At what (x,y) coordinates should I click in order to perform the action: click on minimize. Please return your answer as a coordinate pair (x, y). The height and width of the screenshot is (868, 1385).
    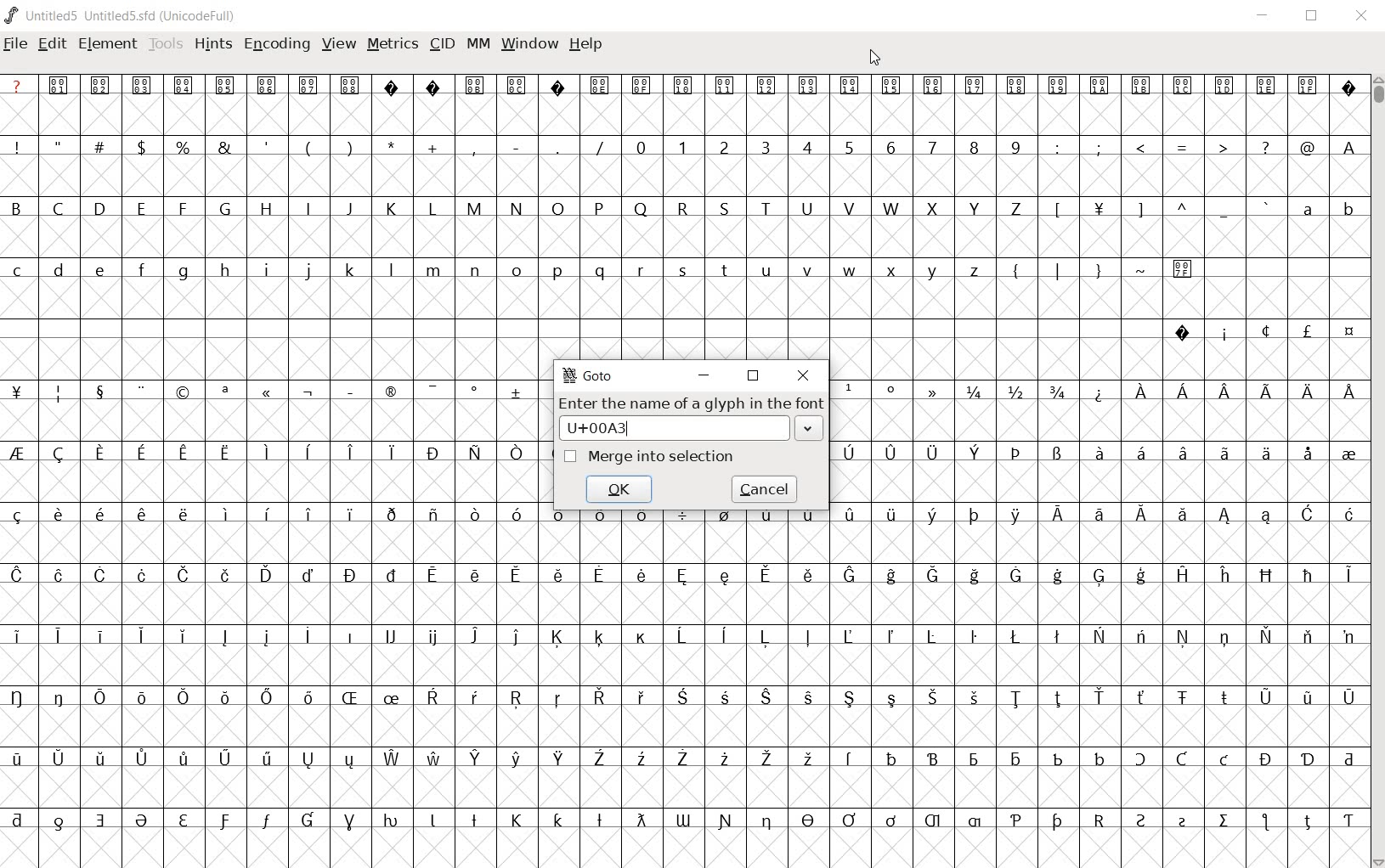
    Looking at the image, I should click on (703, 375).